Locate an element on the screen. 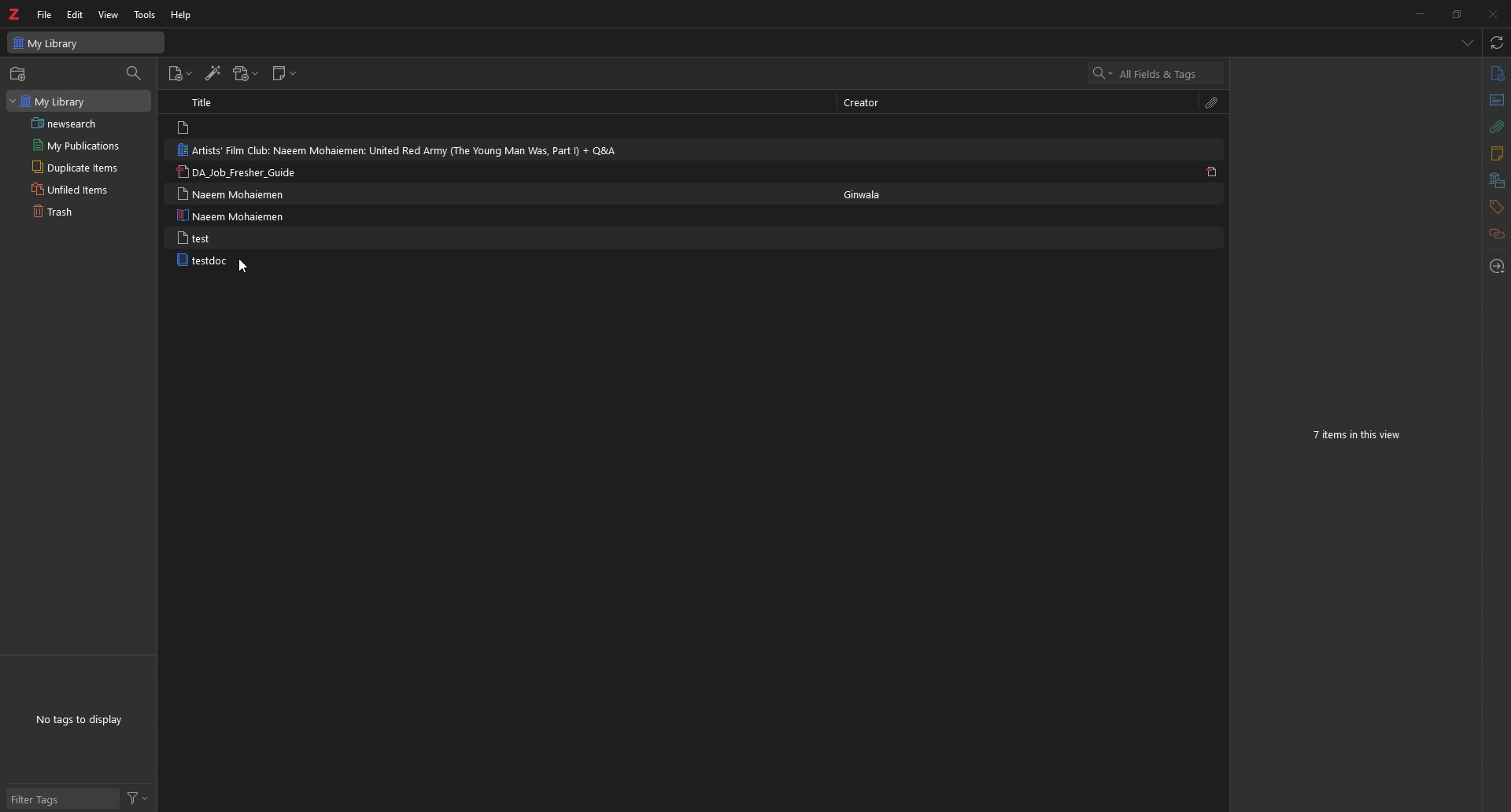  No tags to display is located at coordinates (78, 721).